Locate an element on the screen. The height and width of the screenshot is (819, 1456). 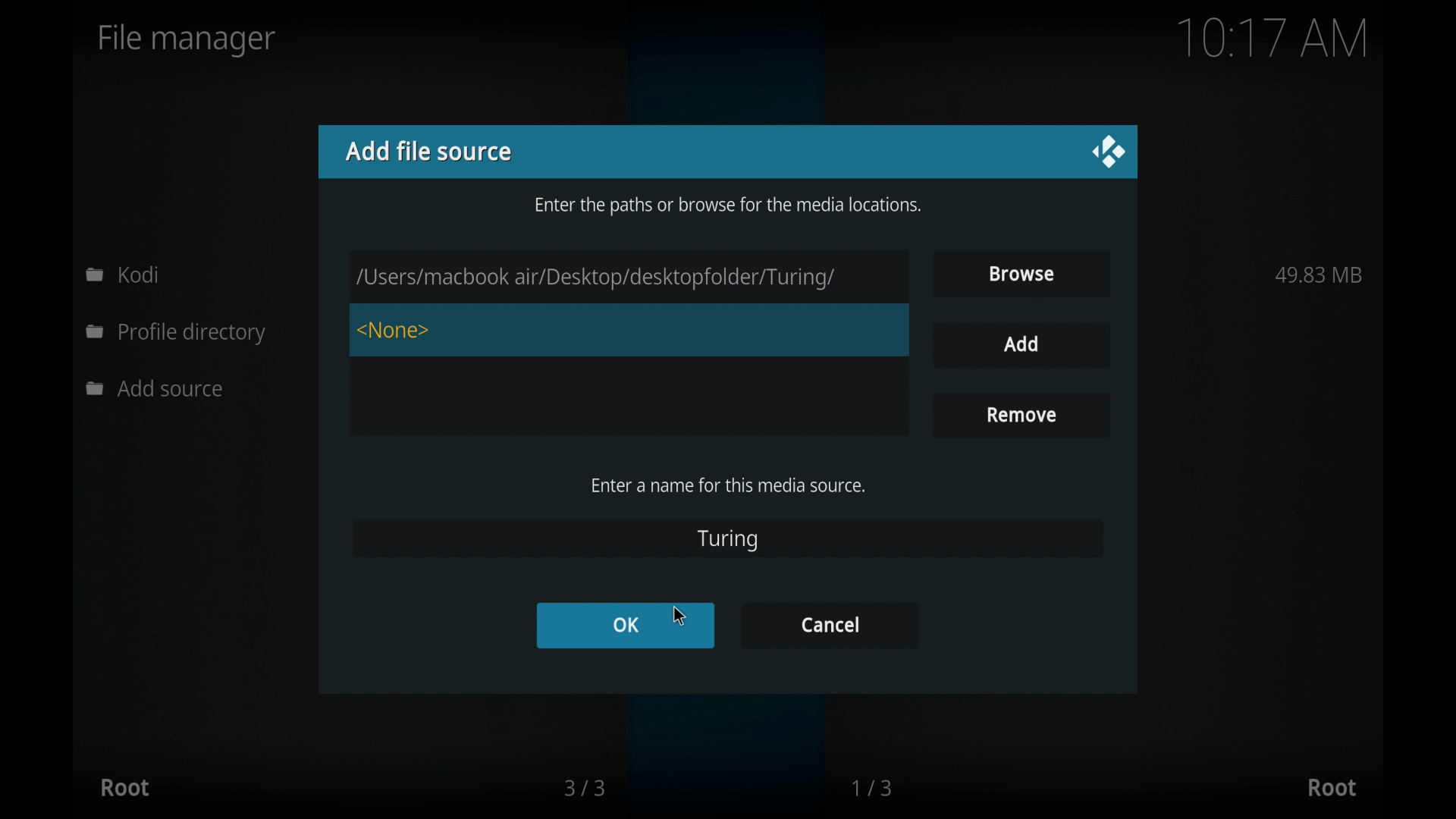
close is located at coordinates (1107, 153).